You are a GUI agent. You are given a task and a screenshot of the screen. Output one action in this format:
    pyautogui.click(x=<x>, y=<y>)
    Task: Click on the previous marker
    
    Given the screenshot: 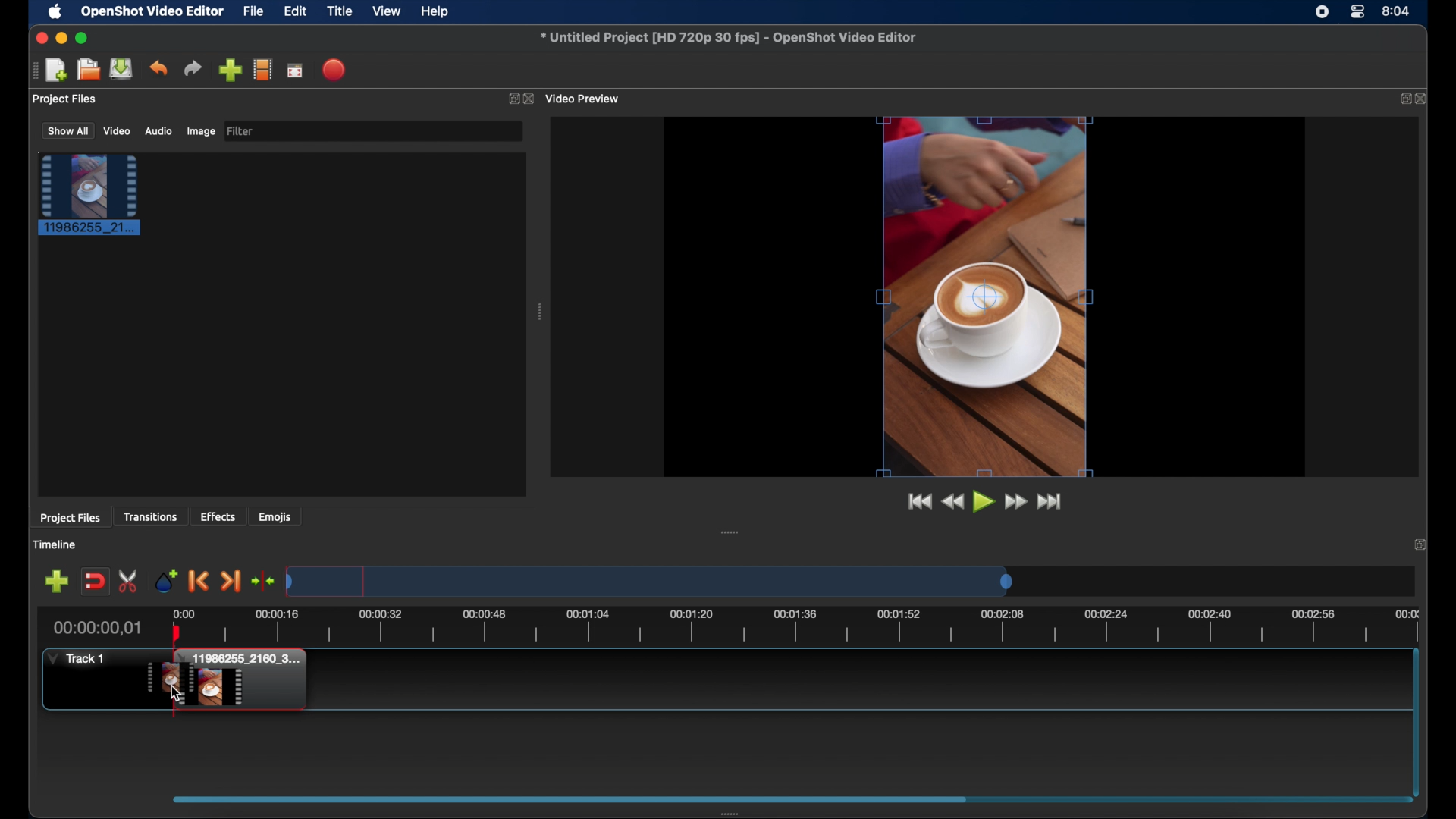 What is the action you would take?
    pyautogui.click(x=199, y=582)
    